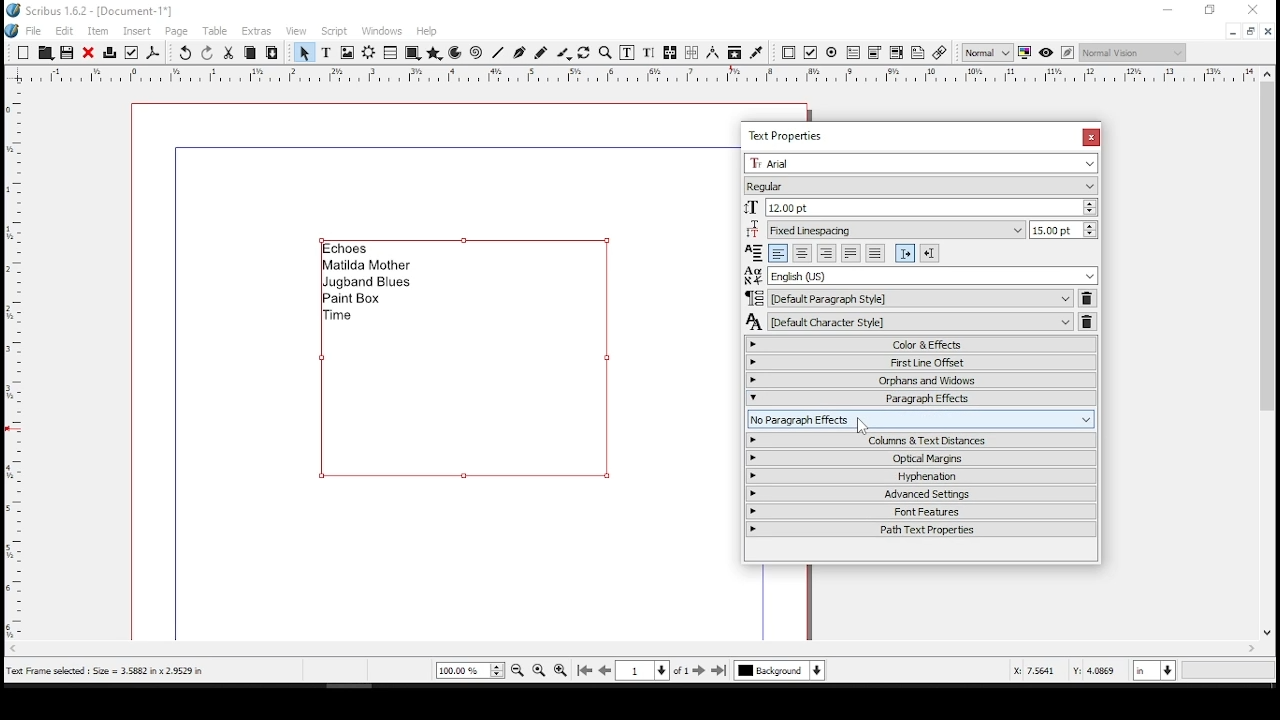 The width and height of the screenshot is (1280, 720). What do you see at coordinates (97, 31) in the screenshot?
I see `item` at bounding box center [97, 31].